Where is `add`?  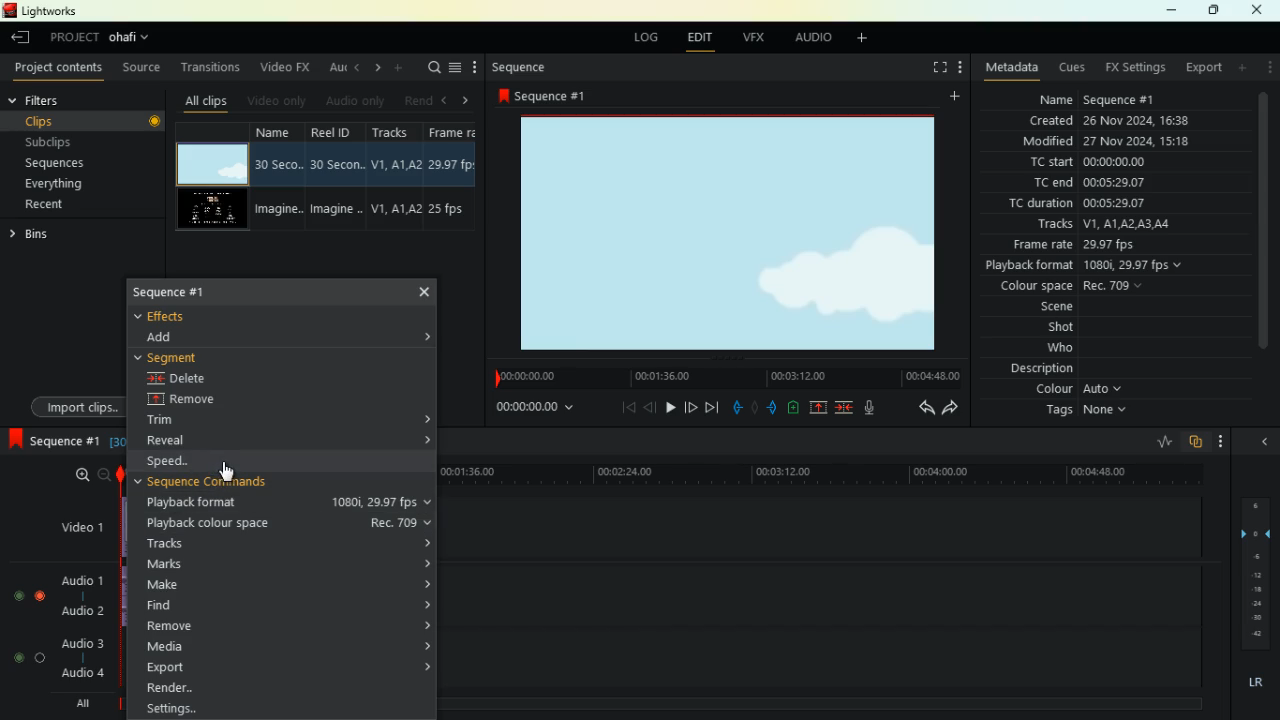
add is located at coordinates (399, 68).